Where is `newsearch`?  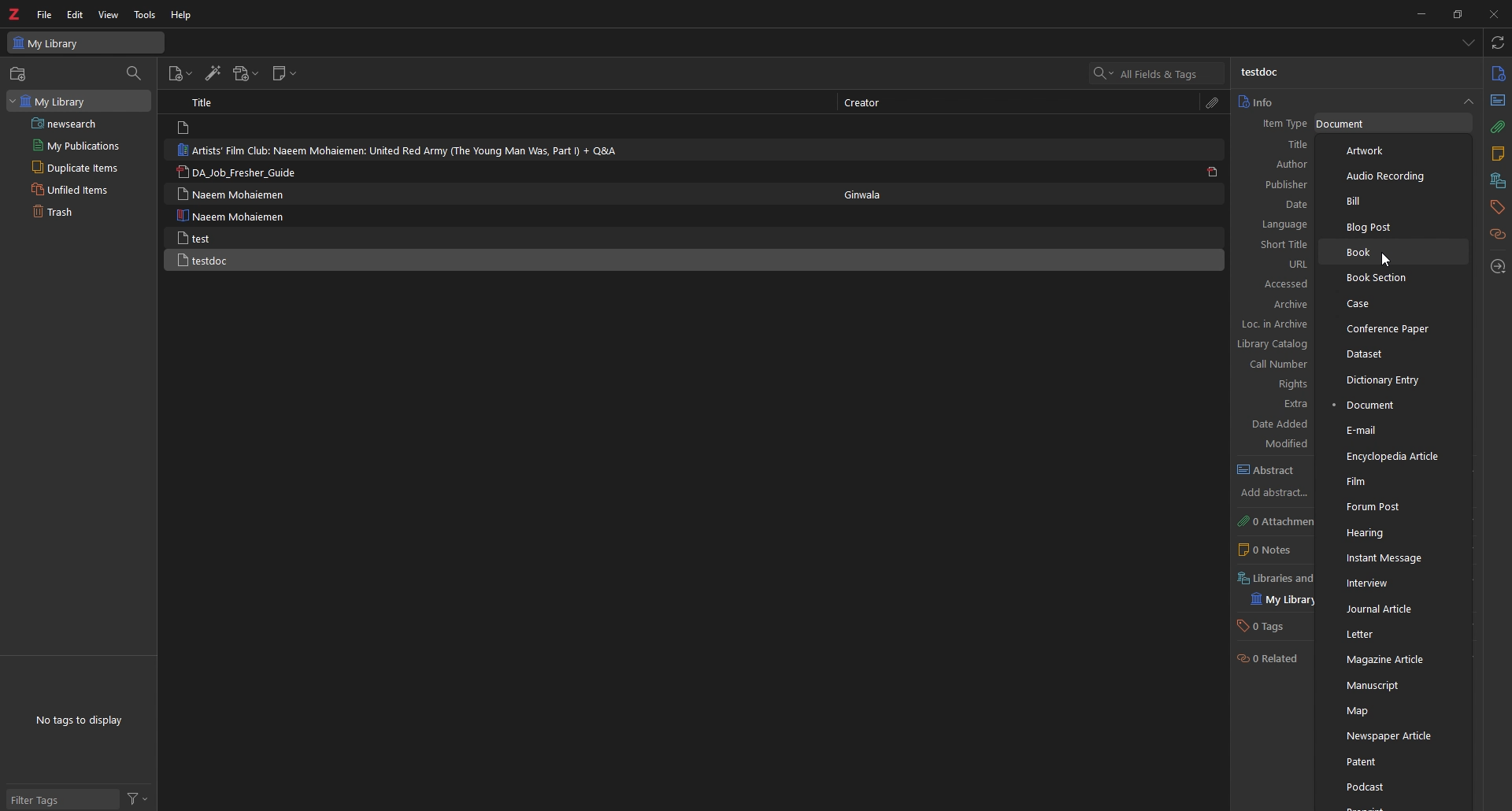
newsearch is located at coordinates (80, 124).